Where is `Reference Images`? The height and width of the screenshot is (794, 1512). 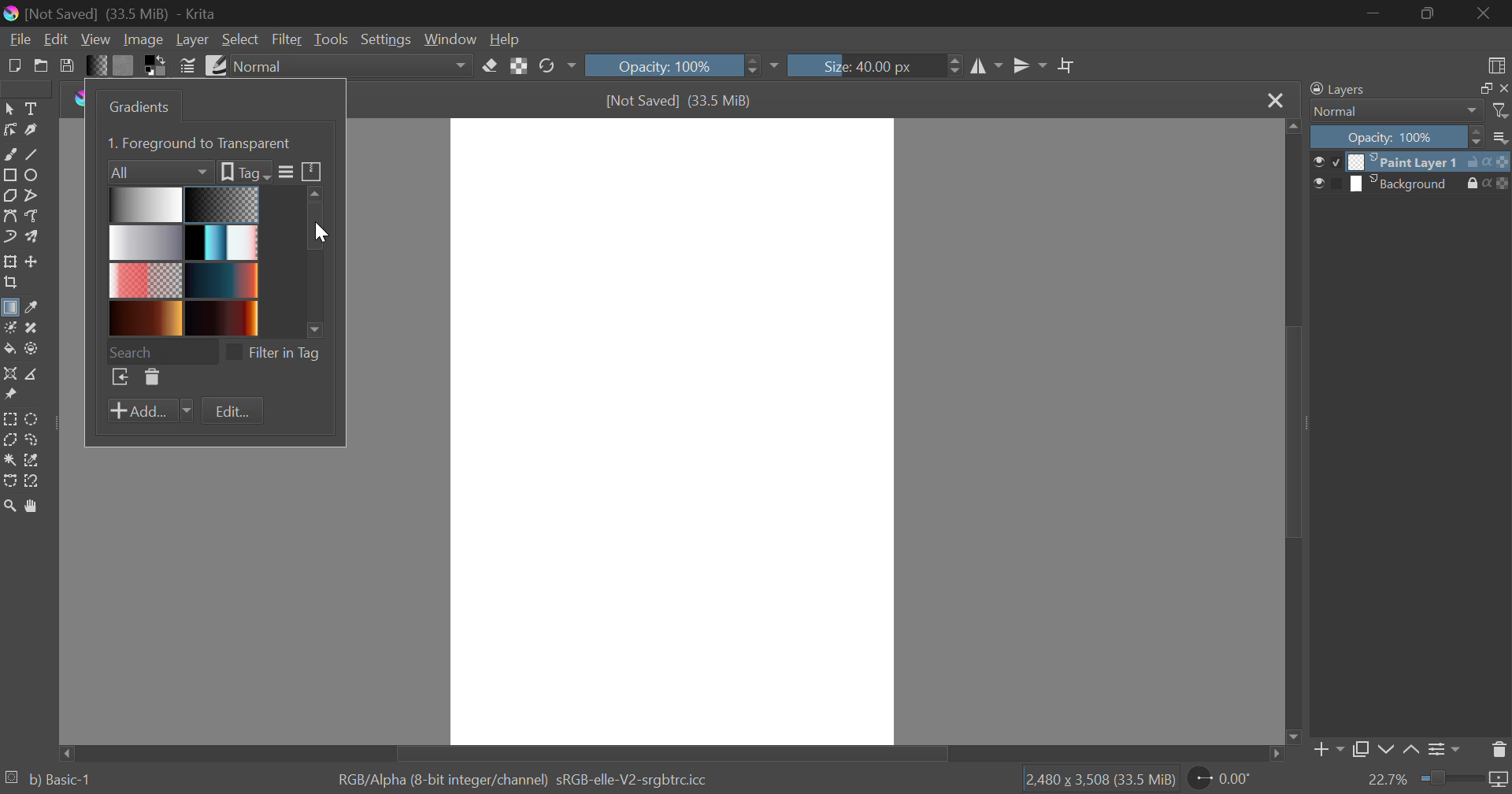 Reference Images is located at coordinates (9, 397).